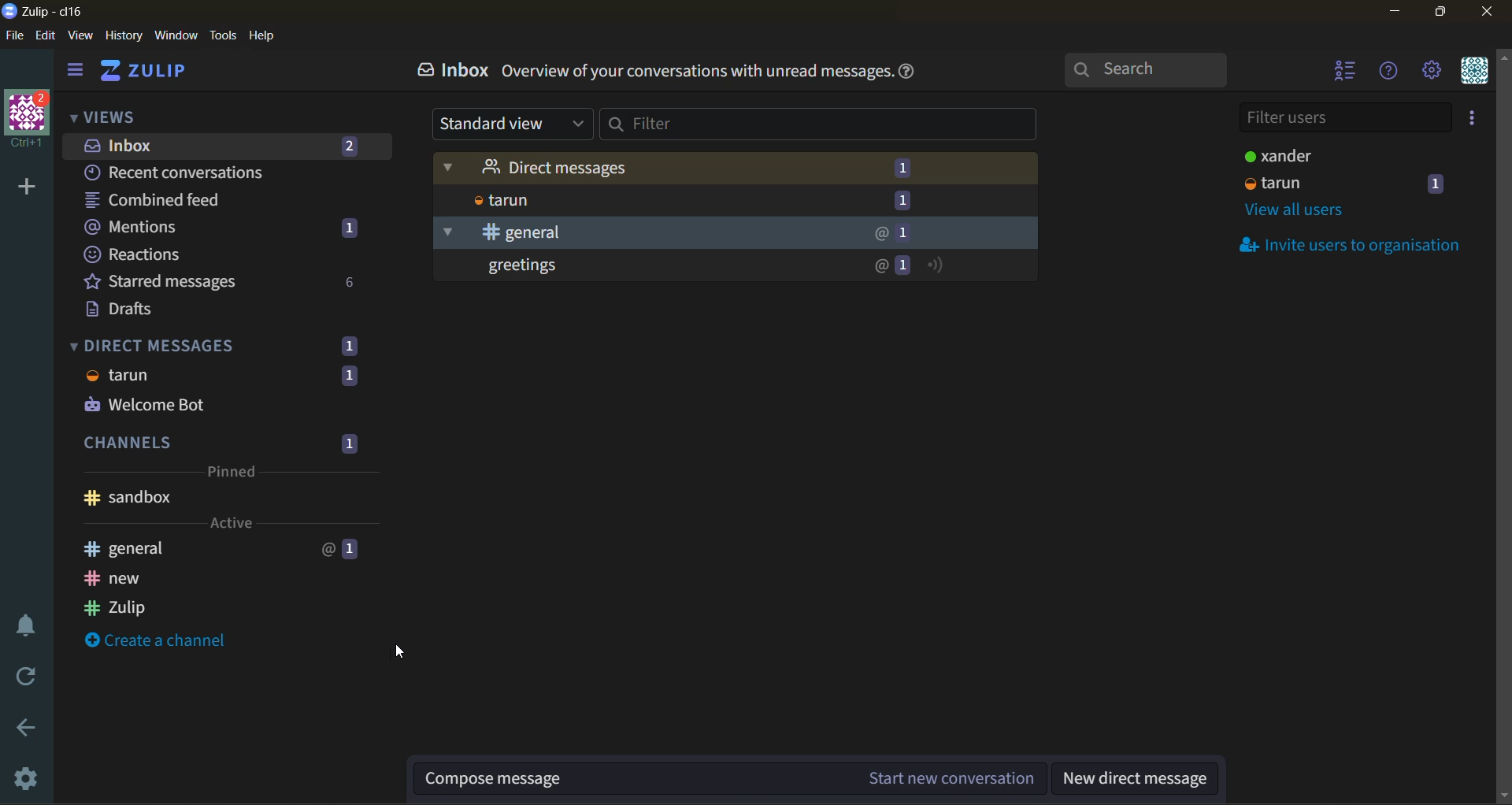 The height and width of the screenshot is (805, 1512). Describe the element at coordinates (28, 779) in the screenshot. I see `settings` at that location.